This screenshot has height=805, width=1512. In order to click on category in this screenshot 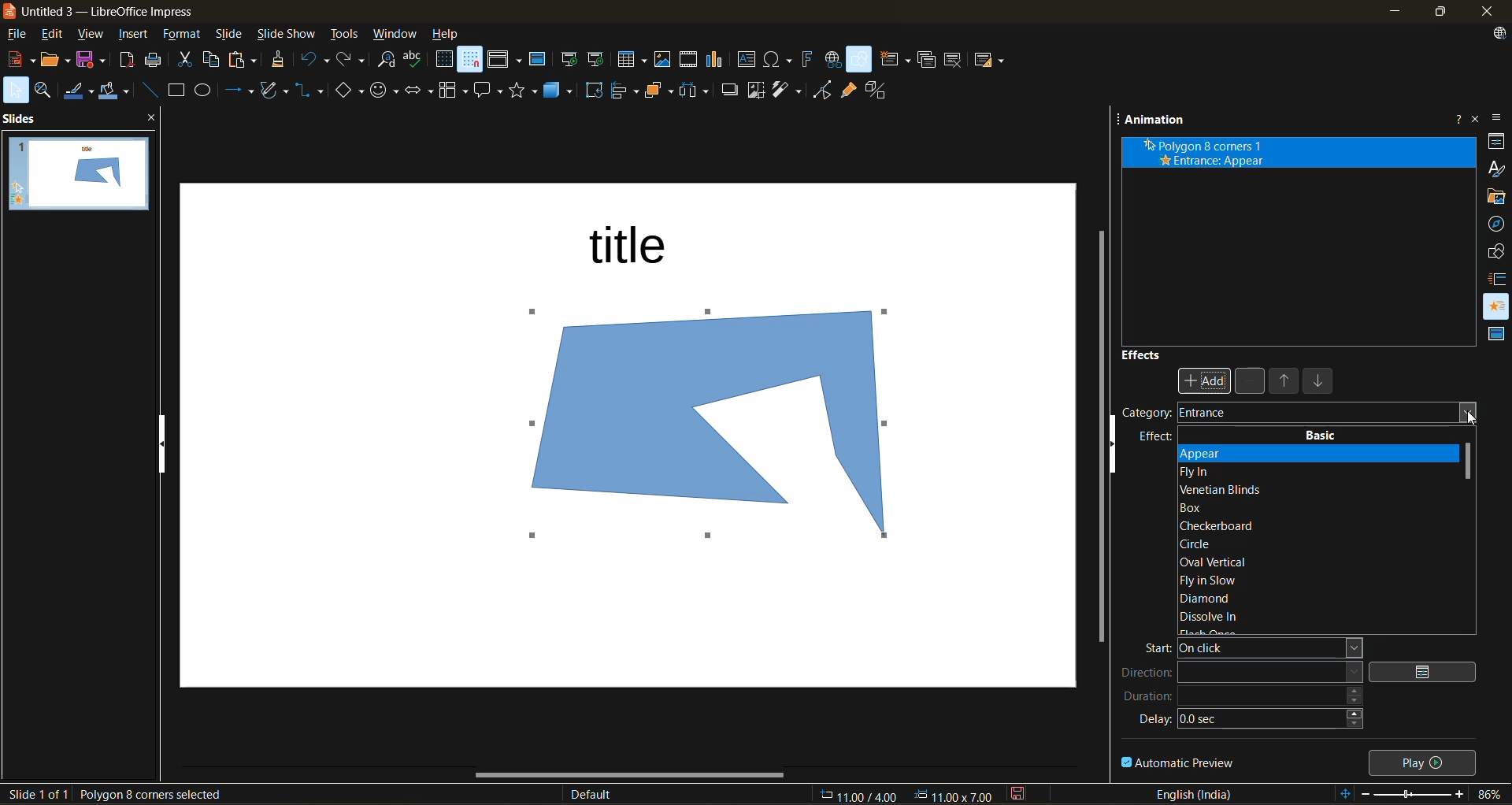, I will do `click(1144, 417)`.